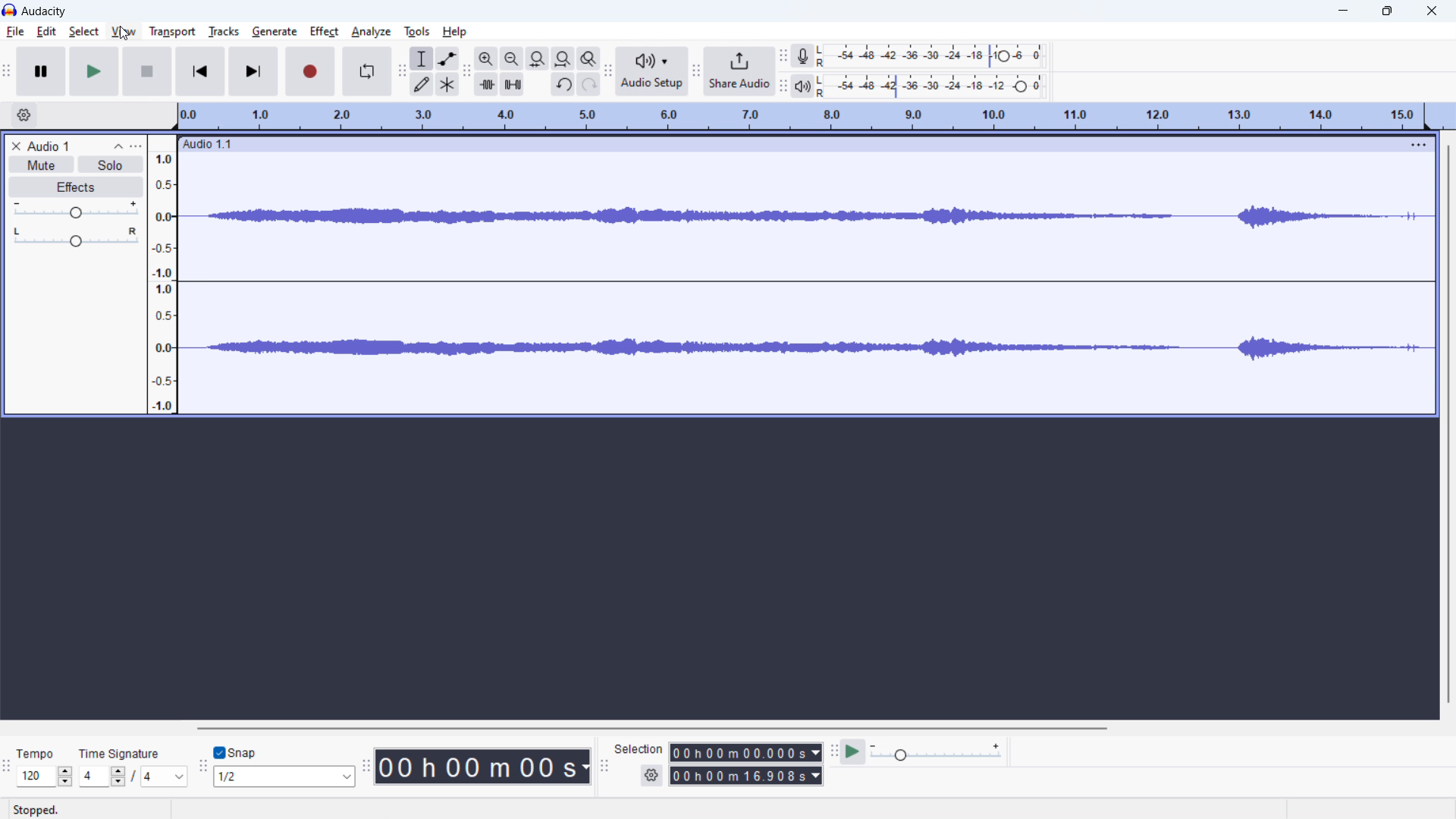 The image size is (1456, 819). Describe the element at coordinates (309, 71) in the screenshot. I see `record` at that location.